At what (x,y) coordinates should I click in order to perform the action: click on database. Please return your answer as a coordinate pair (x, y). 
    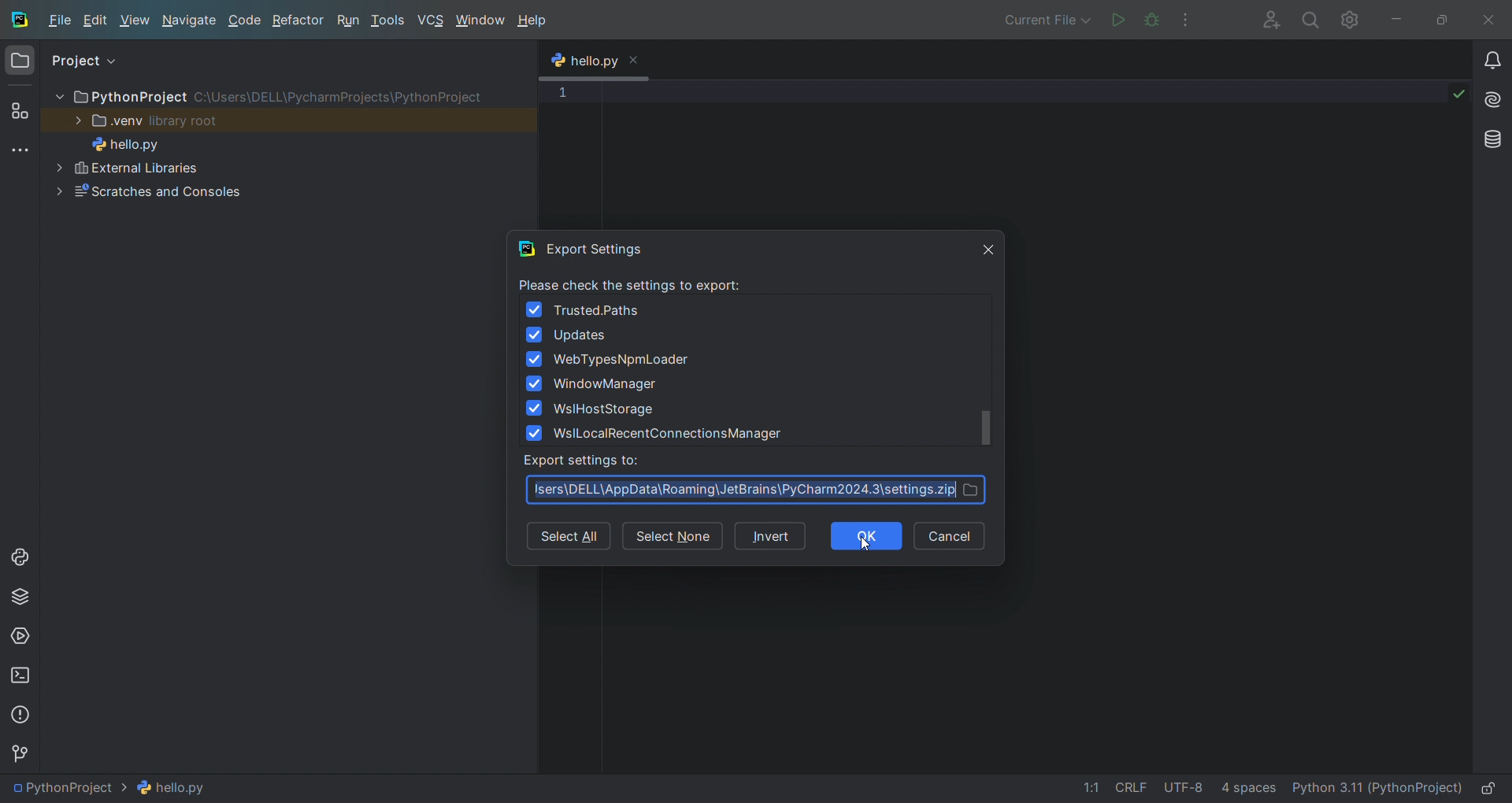
    Looking at the image, I should click on (1493, 139).